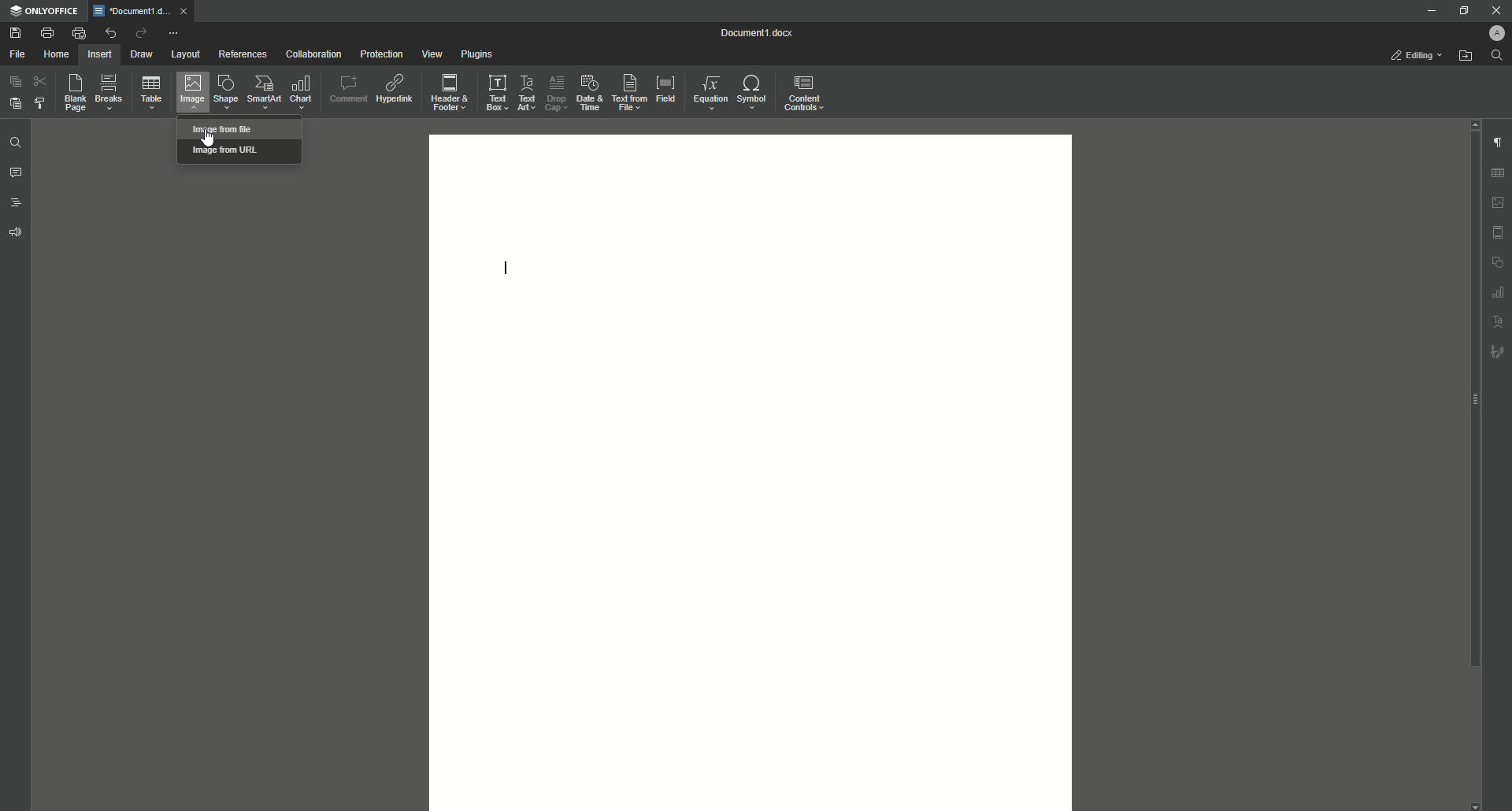  What do you see at coordinates (17, 55) in the screenshot?
I see `File` at bounding box center [17, 55].